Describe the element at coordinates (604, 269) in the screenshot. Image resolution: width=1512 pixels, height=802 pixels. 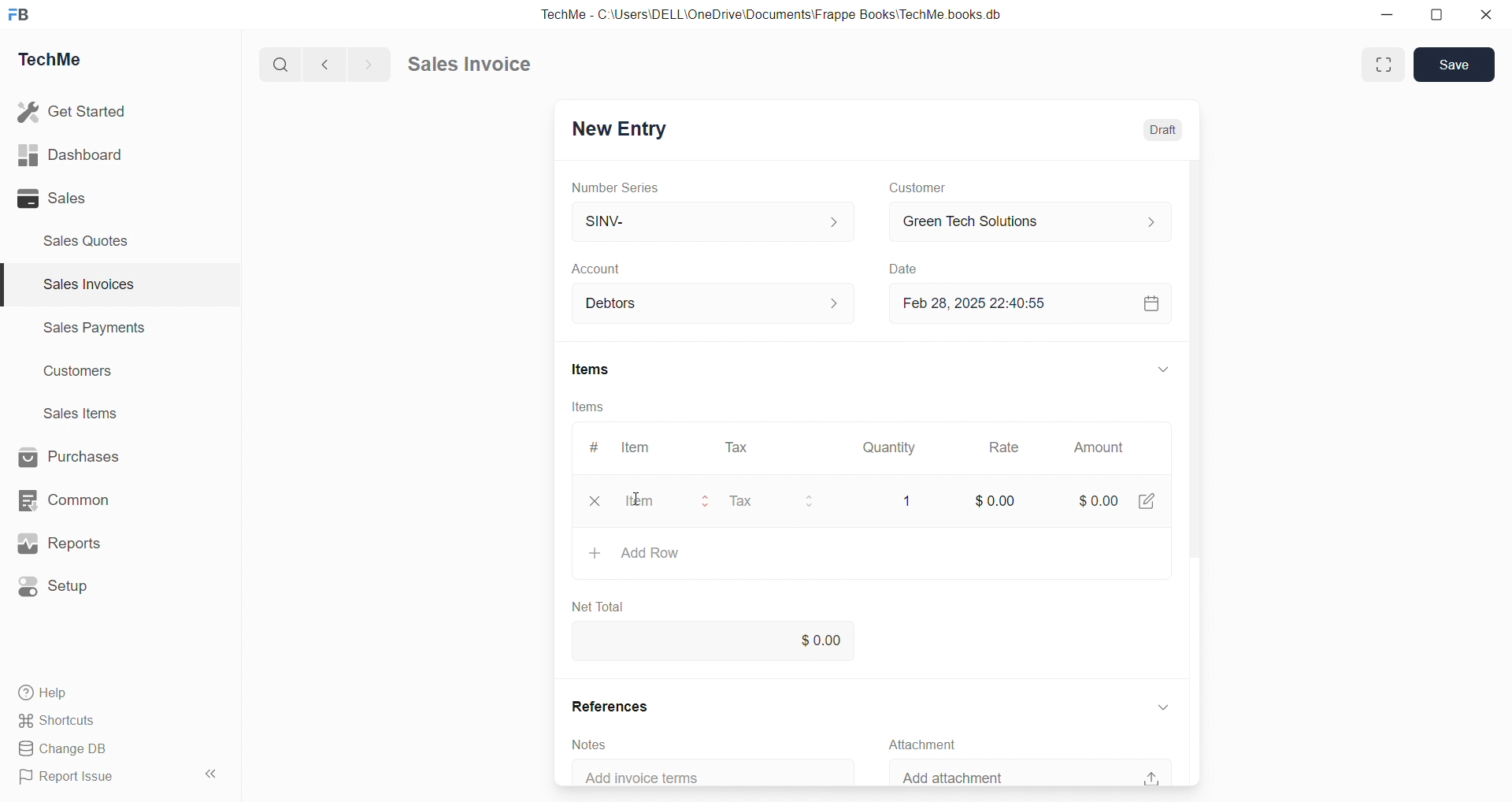
I see `Account` at that location.